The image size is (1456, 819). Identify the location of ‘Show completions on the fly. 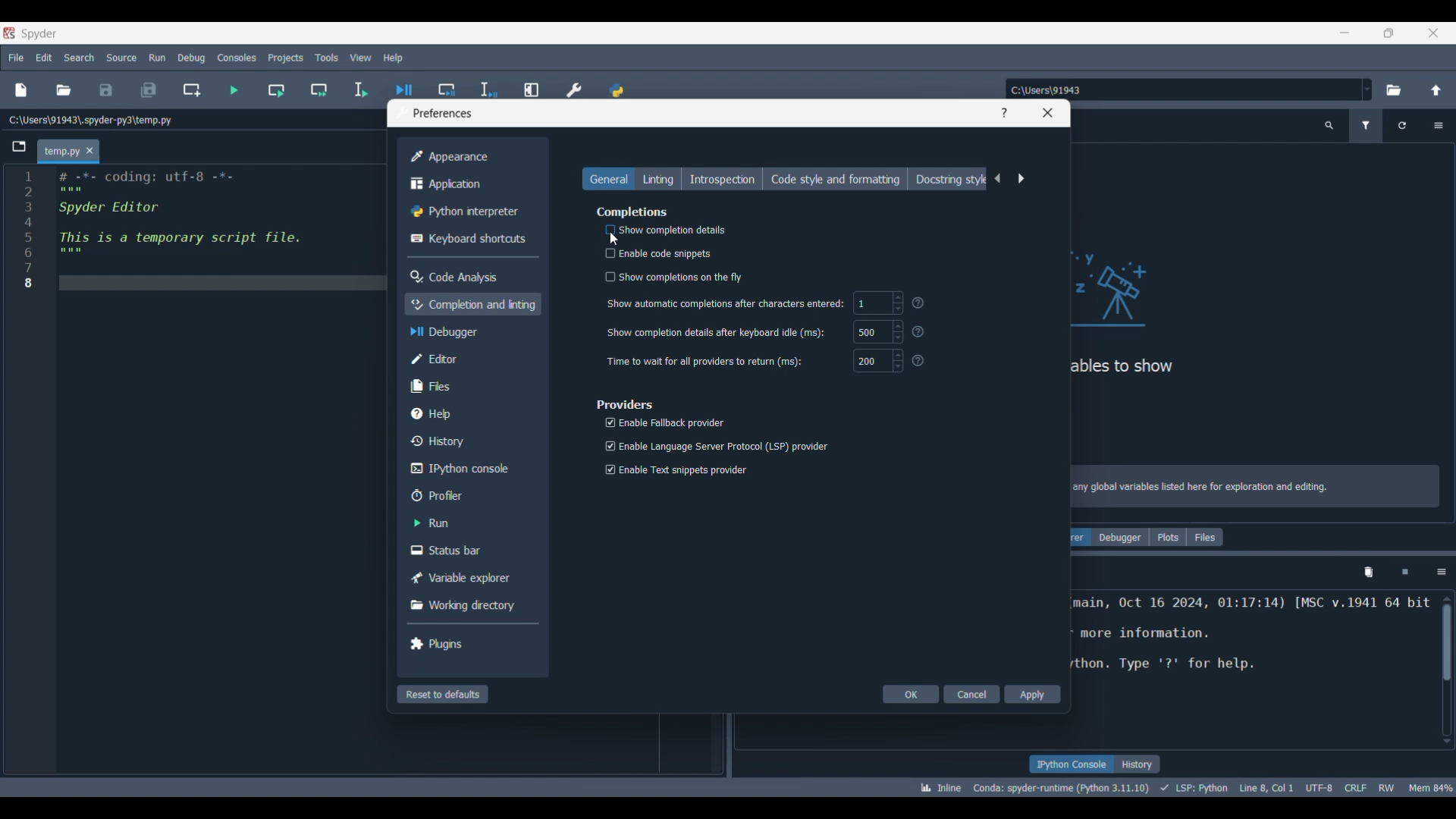
(676, 277).